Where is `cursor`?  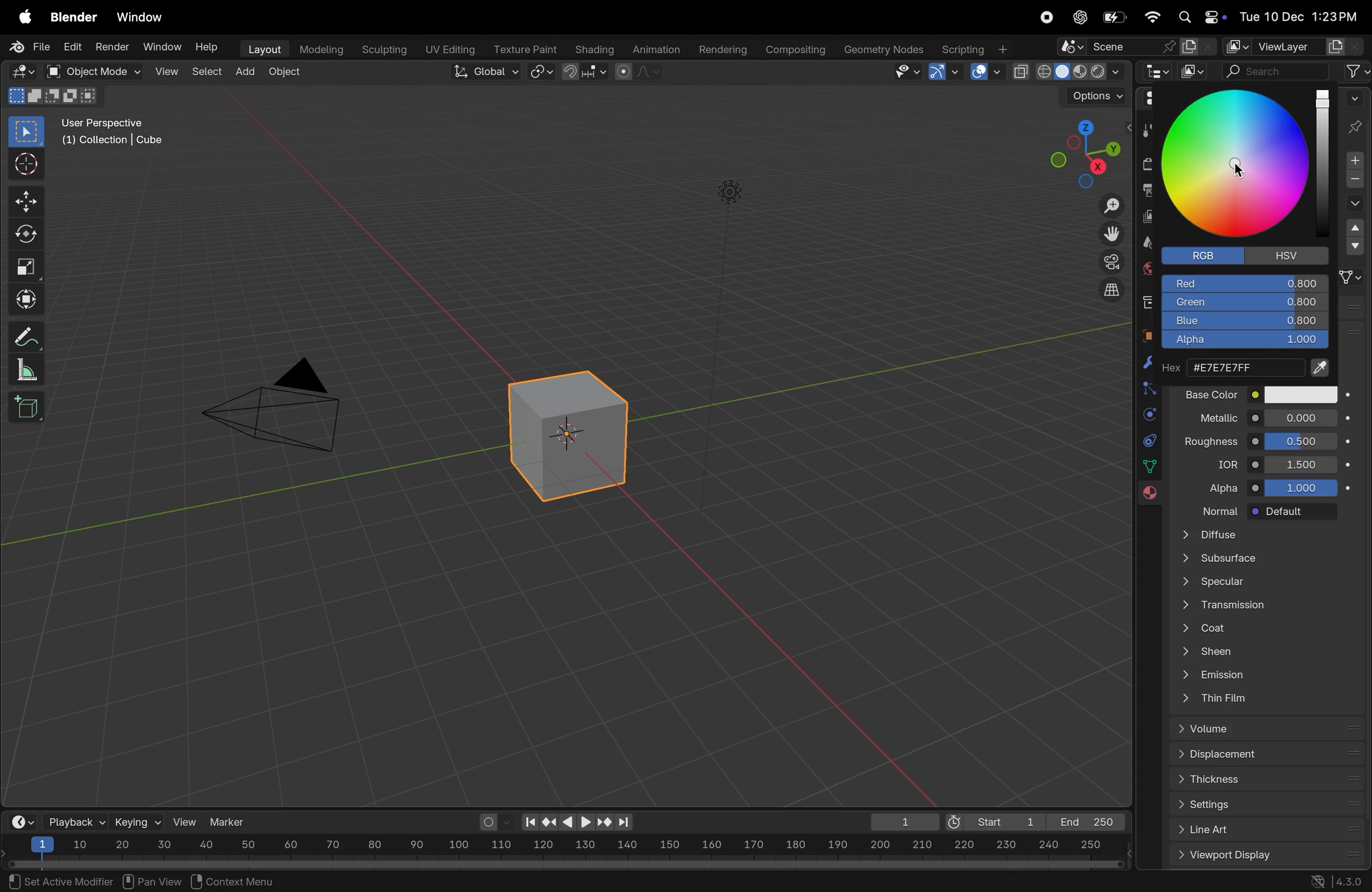
cursor is located at coordinates (1241, 164).